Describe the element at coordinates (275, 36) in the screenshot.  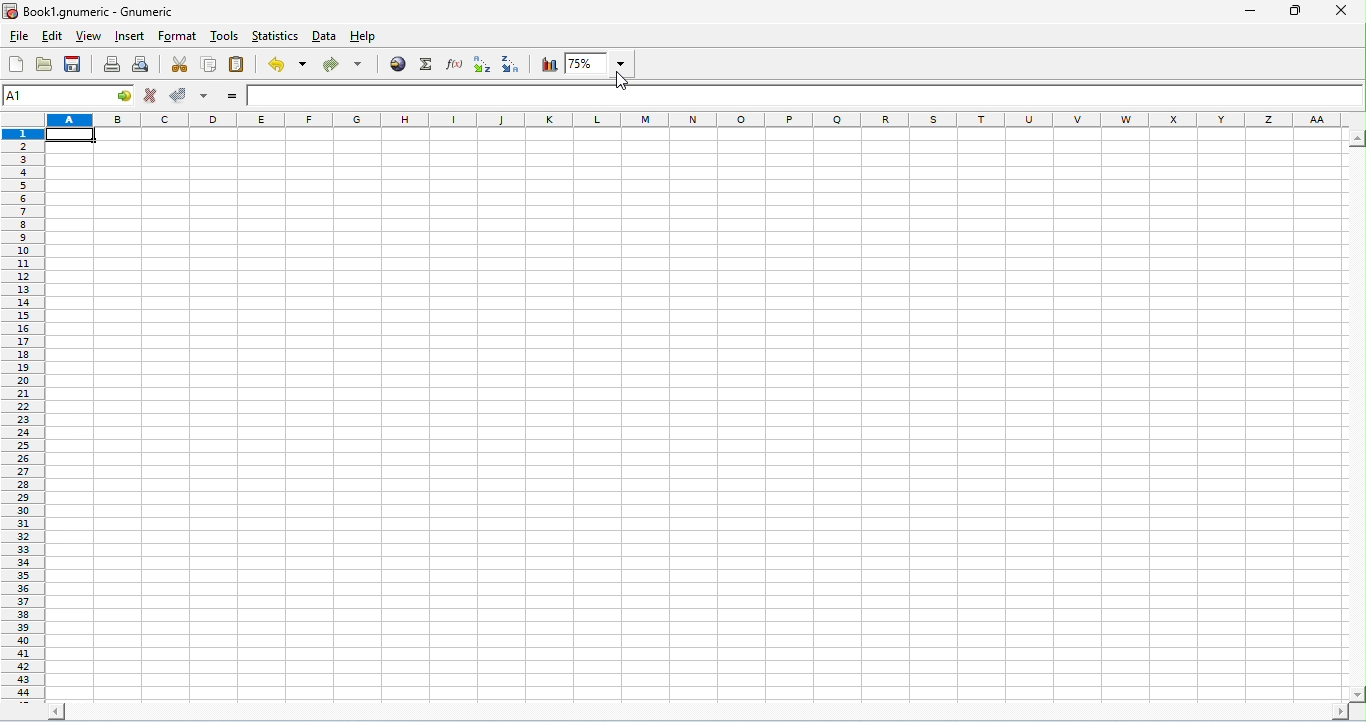
I see `statistics` at that location.